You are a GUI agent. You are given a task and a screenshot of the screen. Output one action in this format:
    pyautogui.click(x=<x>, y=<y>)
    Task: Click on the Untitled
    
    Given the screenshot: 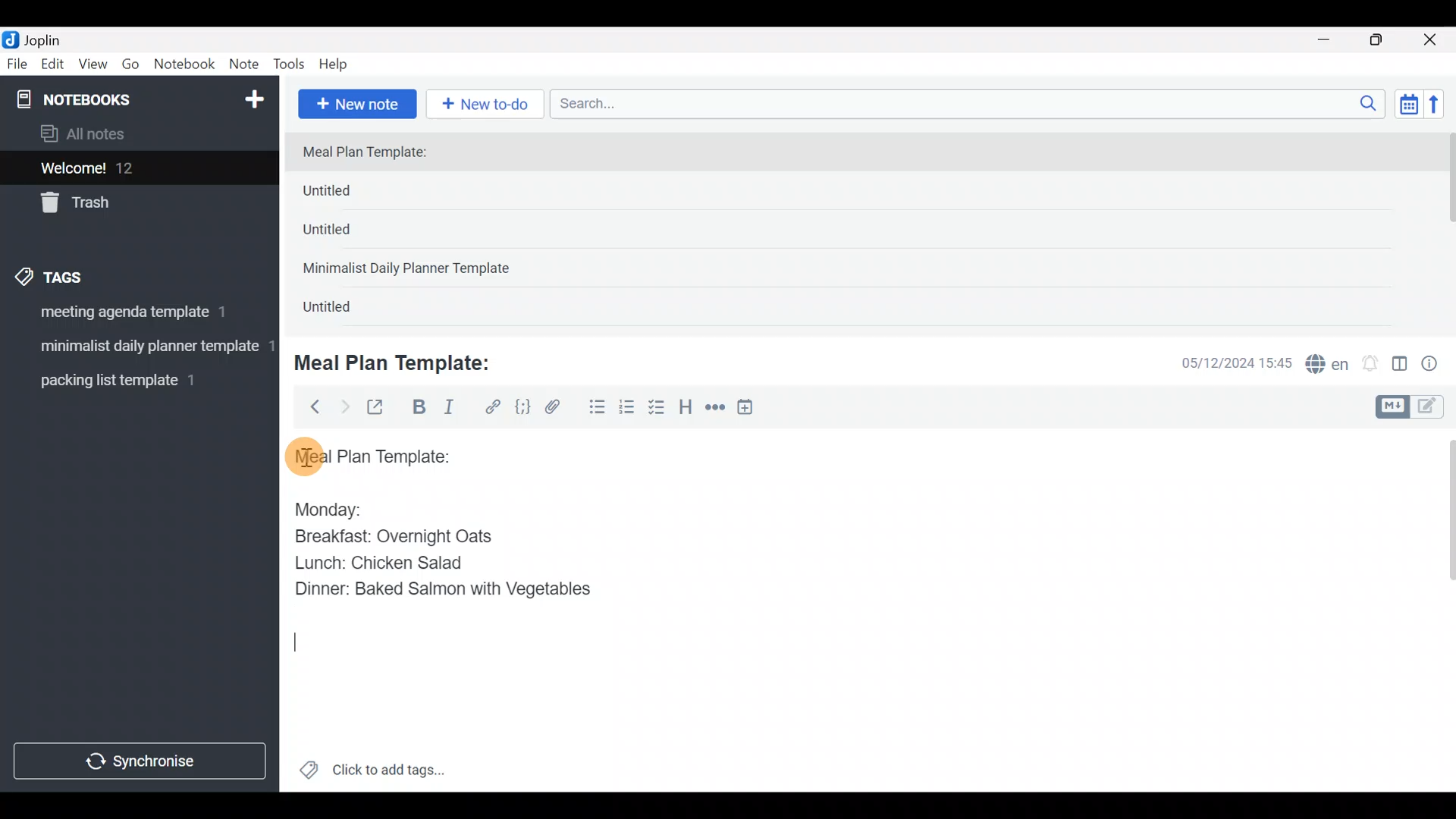 What is the action you would take?
    pyautogui.click(x=352, y=194)
    